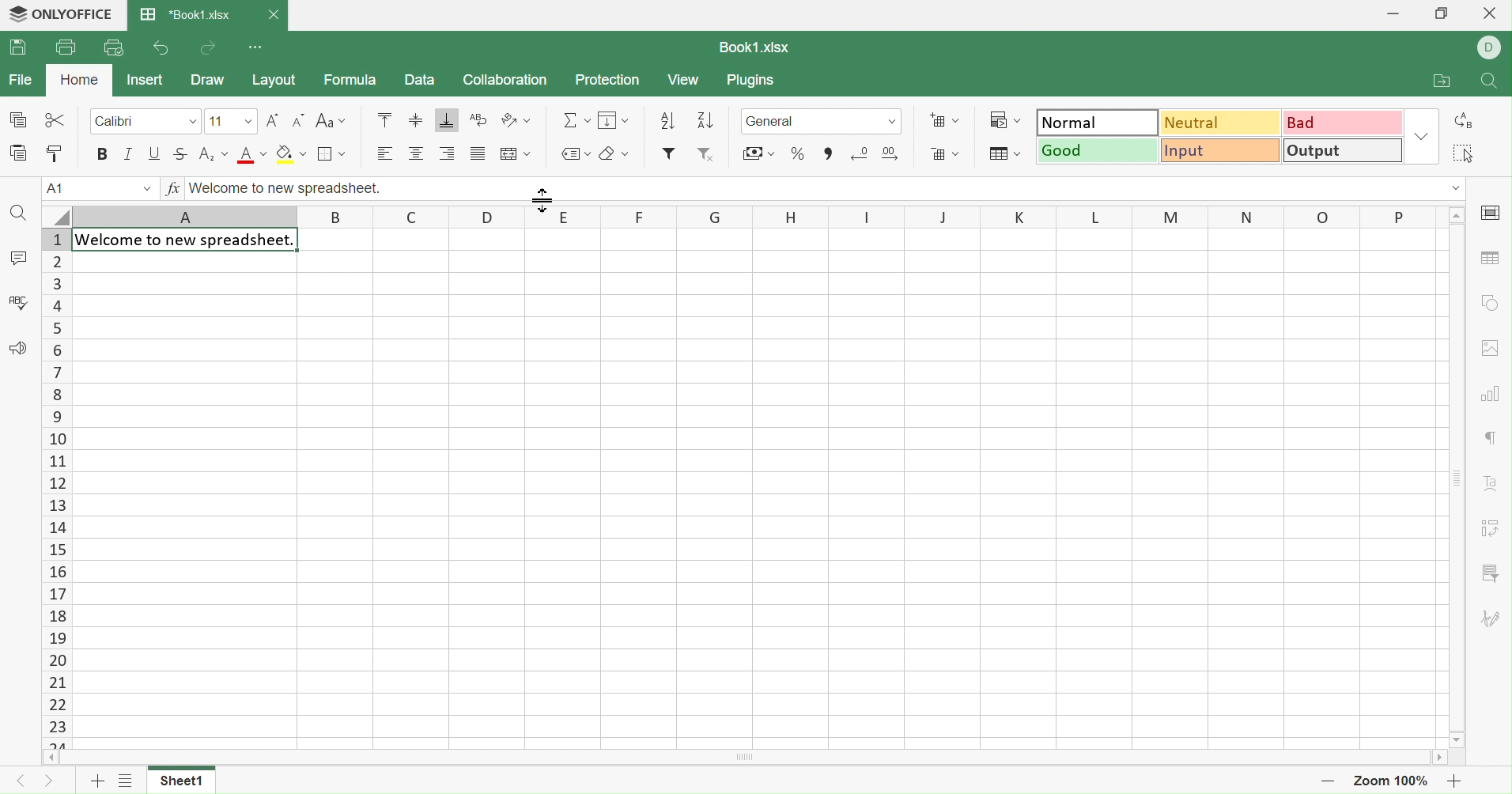 The width and height of the screenshot is (1512, 794). I want to click on Open file location, so click(1441, 81).